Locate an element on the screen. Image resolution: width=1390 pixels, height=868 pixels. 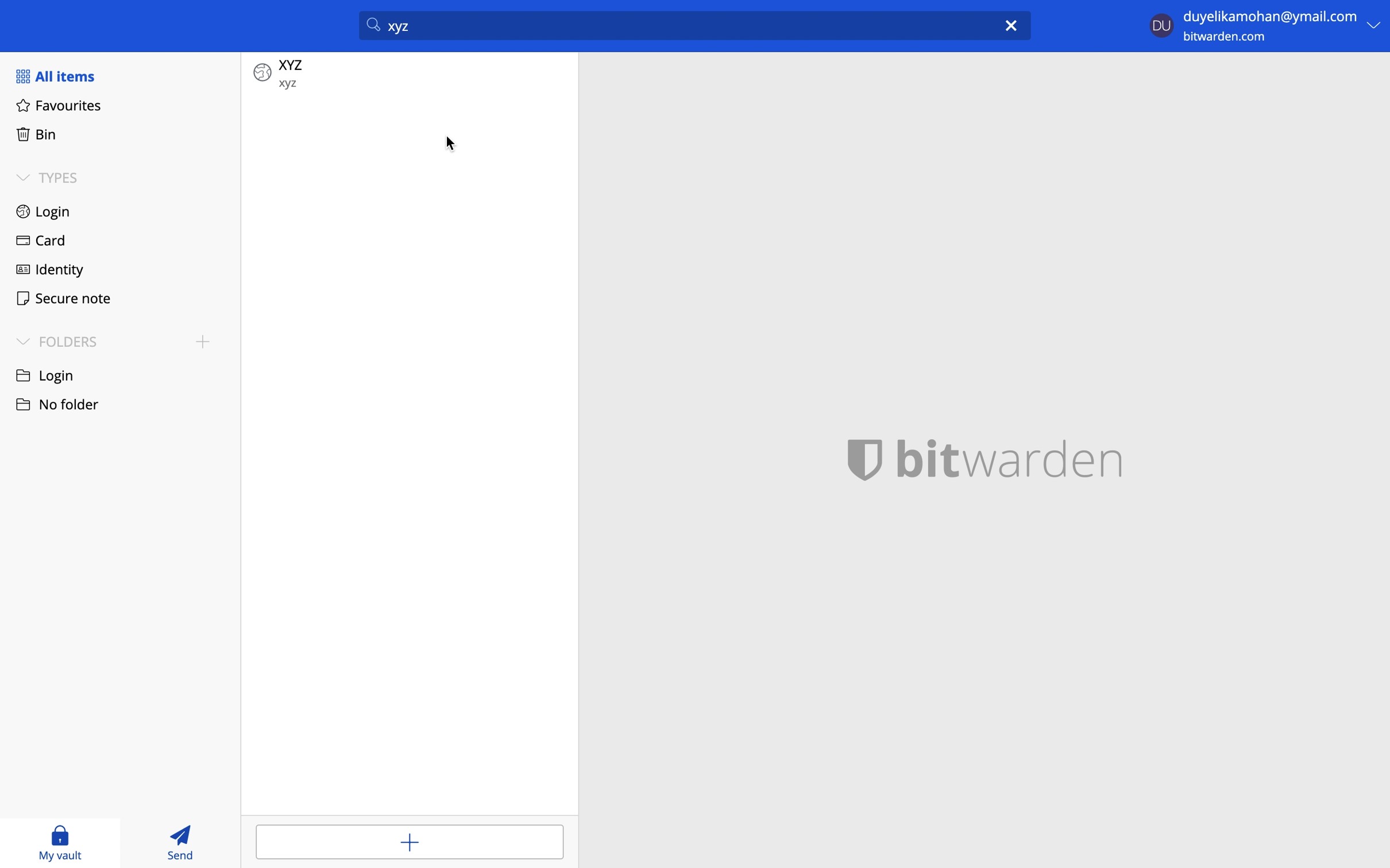
bitwarden is located at coordinates (987, 459).